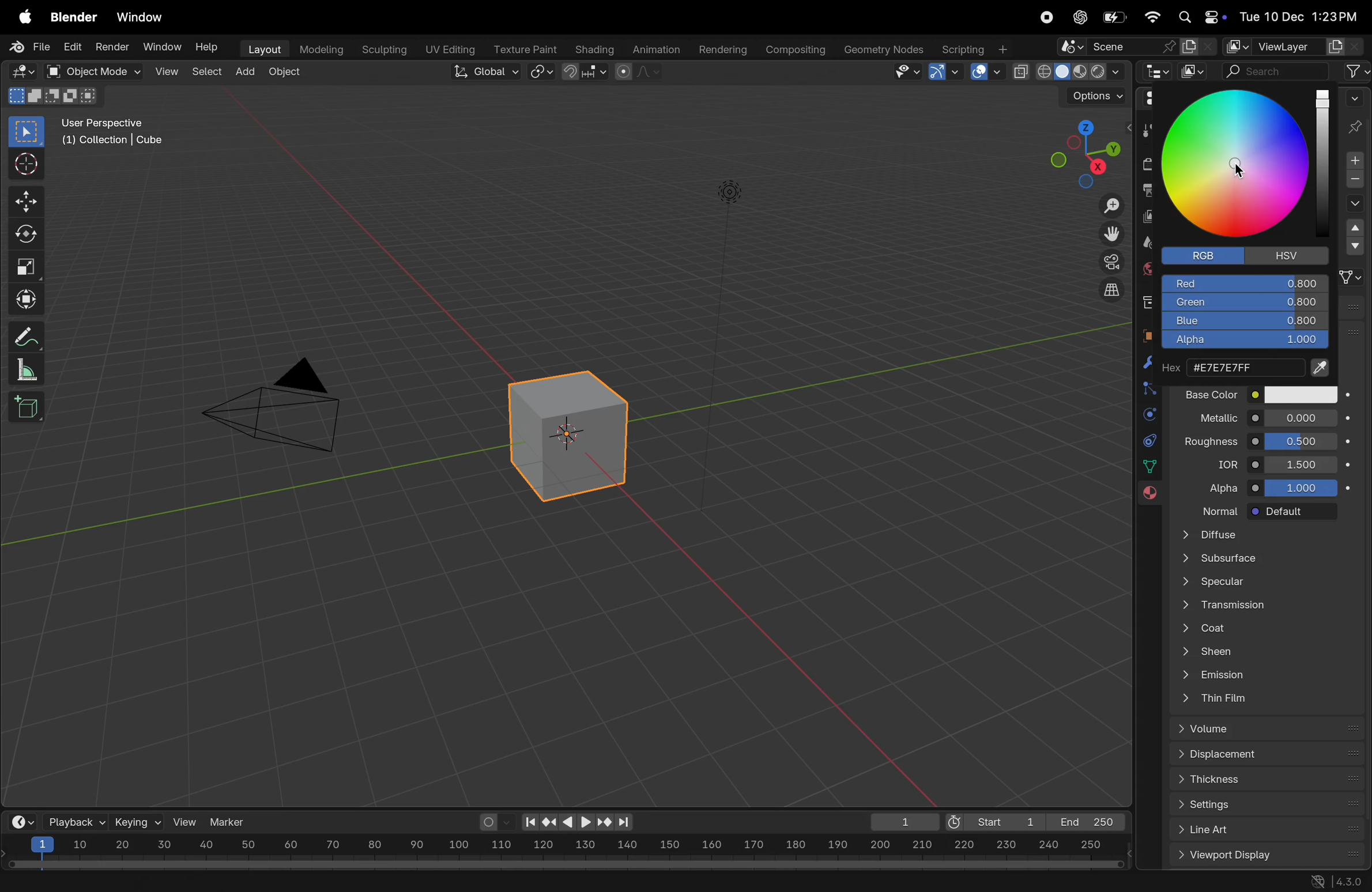 The width and height of the screenshot is (1372, 892). What do you see at coordinates (186, 822) in the screenshot?
I see `view` at bounding box center [186, 822].